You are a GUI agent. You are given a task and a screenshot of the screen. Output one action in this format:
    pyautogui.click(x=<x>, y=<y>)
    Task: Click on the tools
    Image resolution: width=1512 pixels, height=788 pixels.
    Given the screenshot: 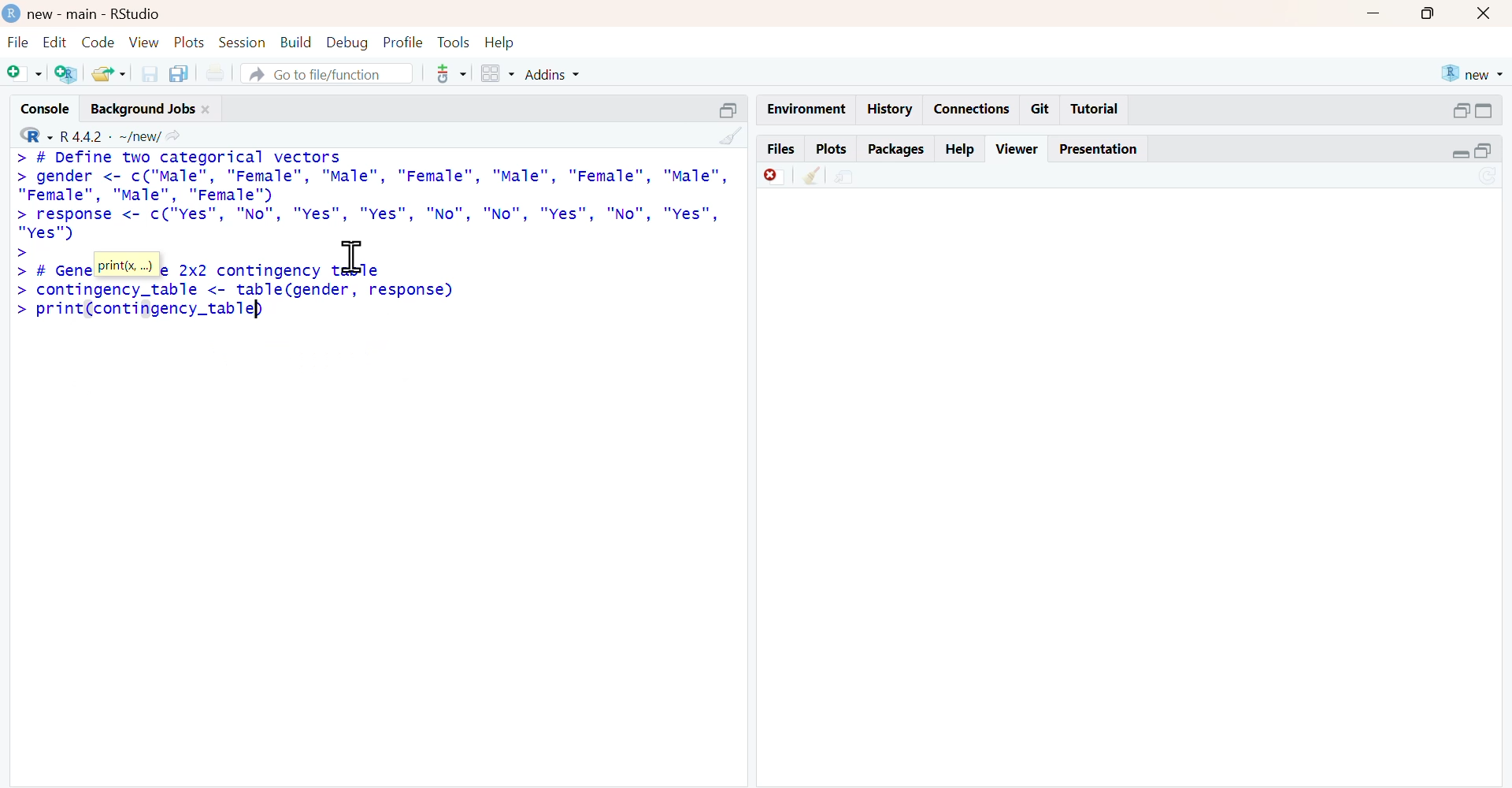 What is the action you would take?
    pyautogui.click(x=454, y=43)
    